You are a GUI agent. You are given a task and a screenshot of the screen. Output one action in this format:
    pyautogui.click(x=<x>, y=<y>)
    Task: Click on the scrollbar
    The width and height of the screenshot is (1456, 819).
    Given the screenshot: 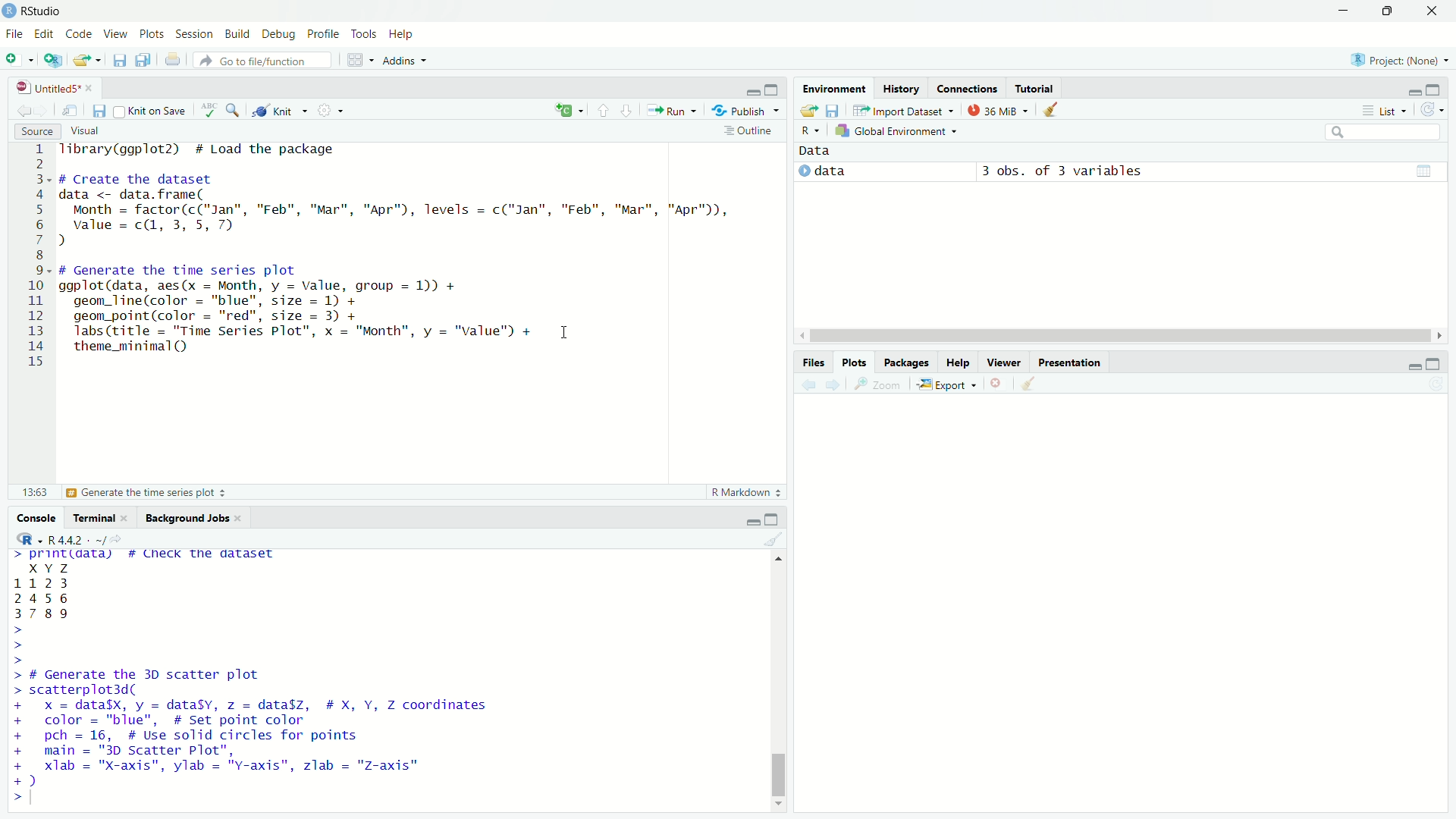 What is the action you would take?
    pyautogui.click(x=779, y=682)
    